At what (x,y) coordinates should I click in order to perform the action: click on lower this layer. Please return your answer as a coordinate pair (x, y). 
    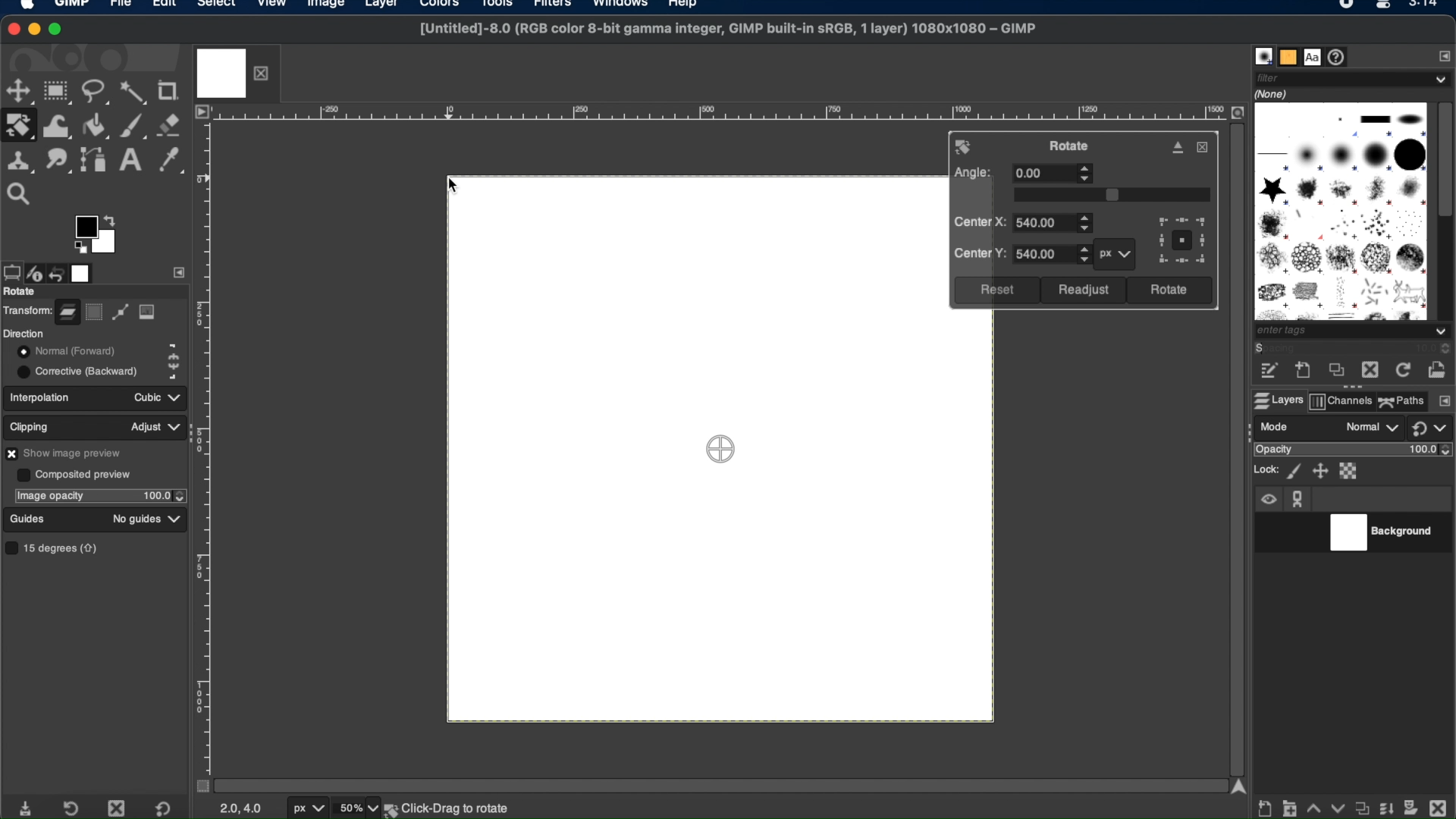
    Looking at the image, I should click on (1337, 808).